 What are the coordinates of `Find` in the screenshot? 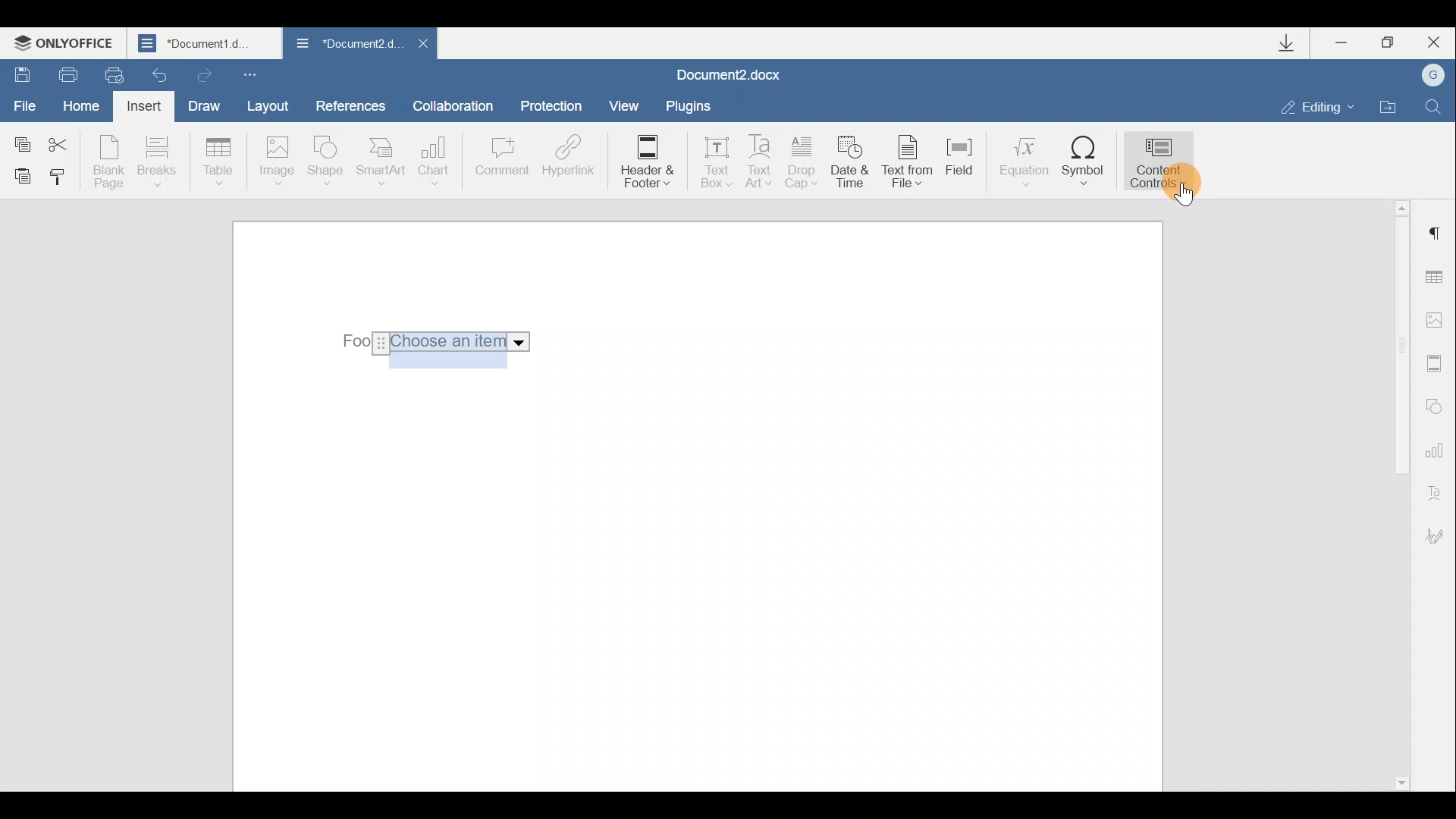 It's located at (1434, 106).